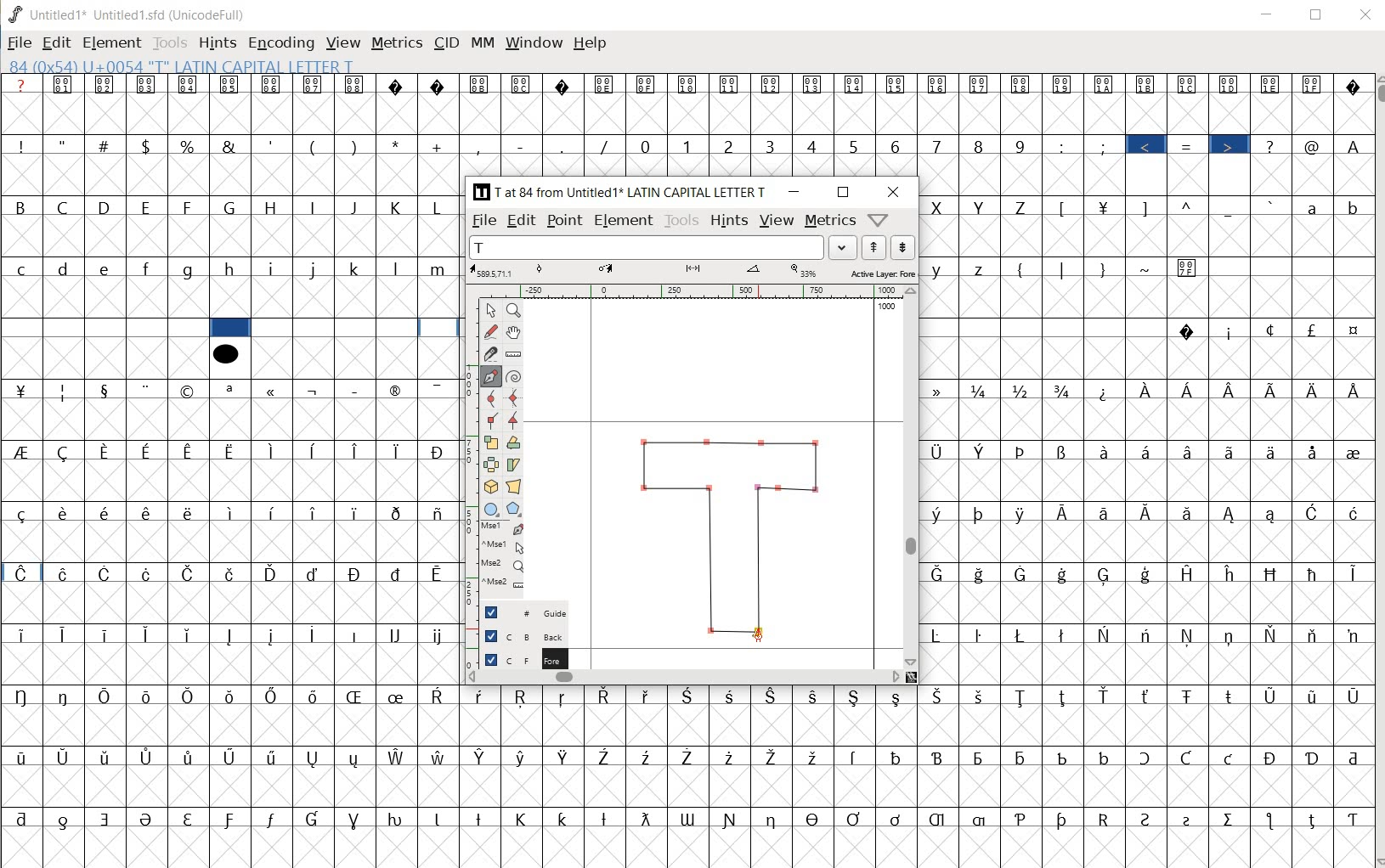 Image resolution: width=1385 pixels, height=868 pixels. I want to click on ., so click(564, 147).